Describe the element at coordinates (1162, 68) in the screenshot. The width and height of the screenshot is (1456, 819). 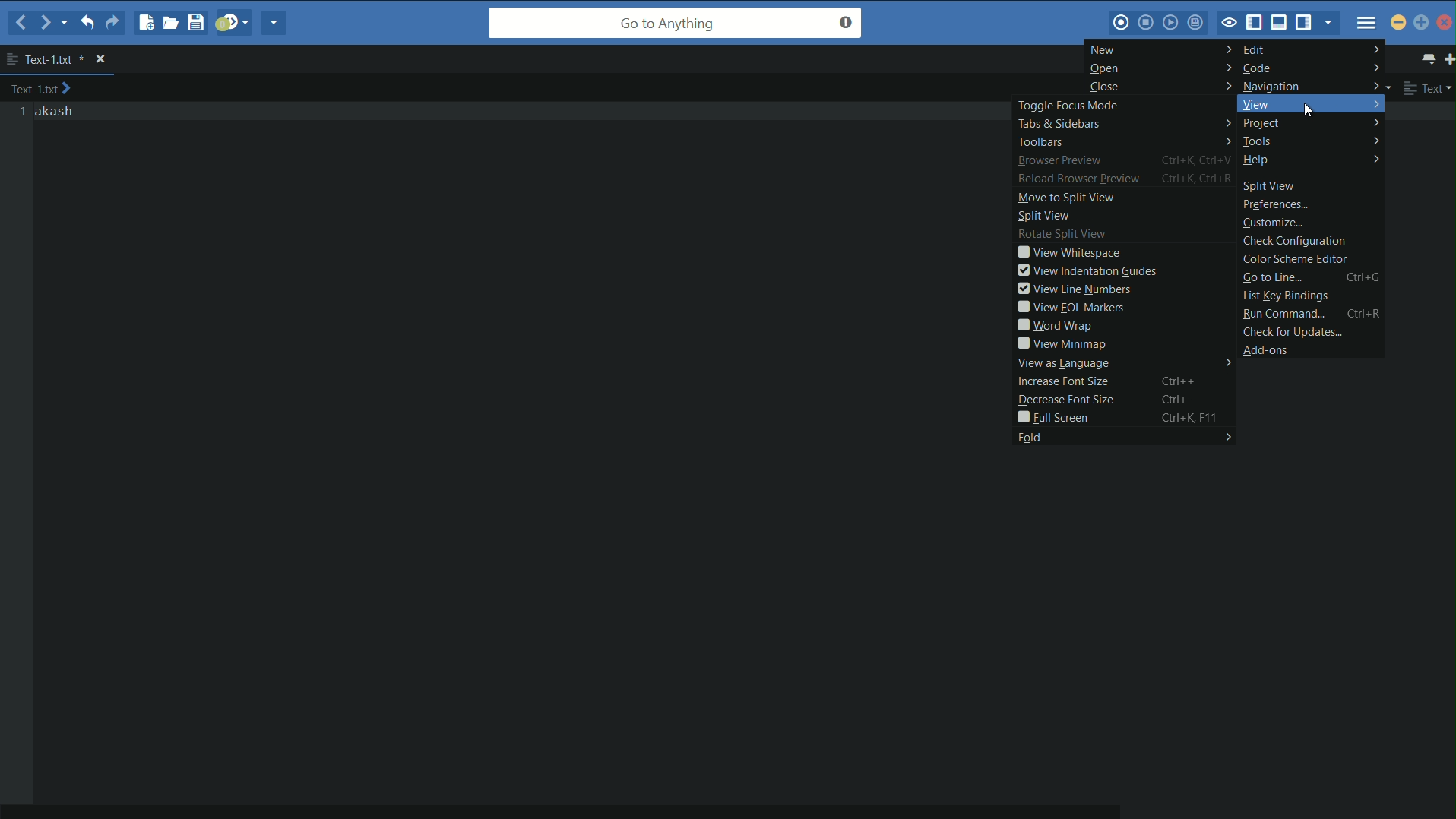
I see `open` at that location.